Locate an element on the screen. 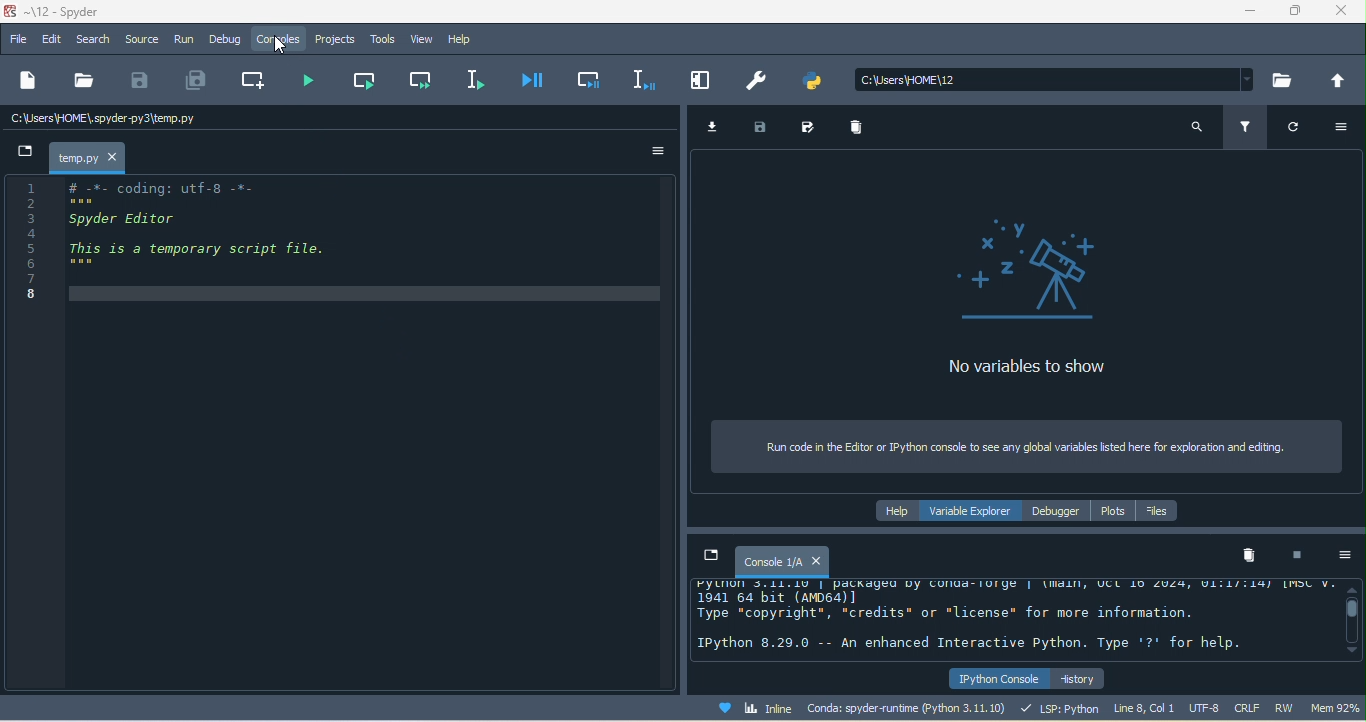 Image resolution: width=1366 pixels, height=722 pixels. interrupt kenel is located at coordinates (1301, 557).